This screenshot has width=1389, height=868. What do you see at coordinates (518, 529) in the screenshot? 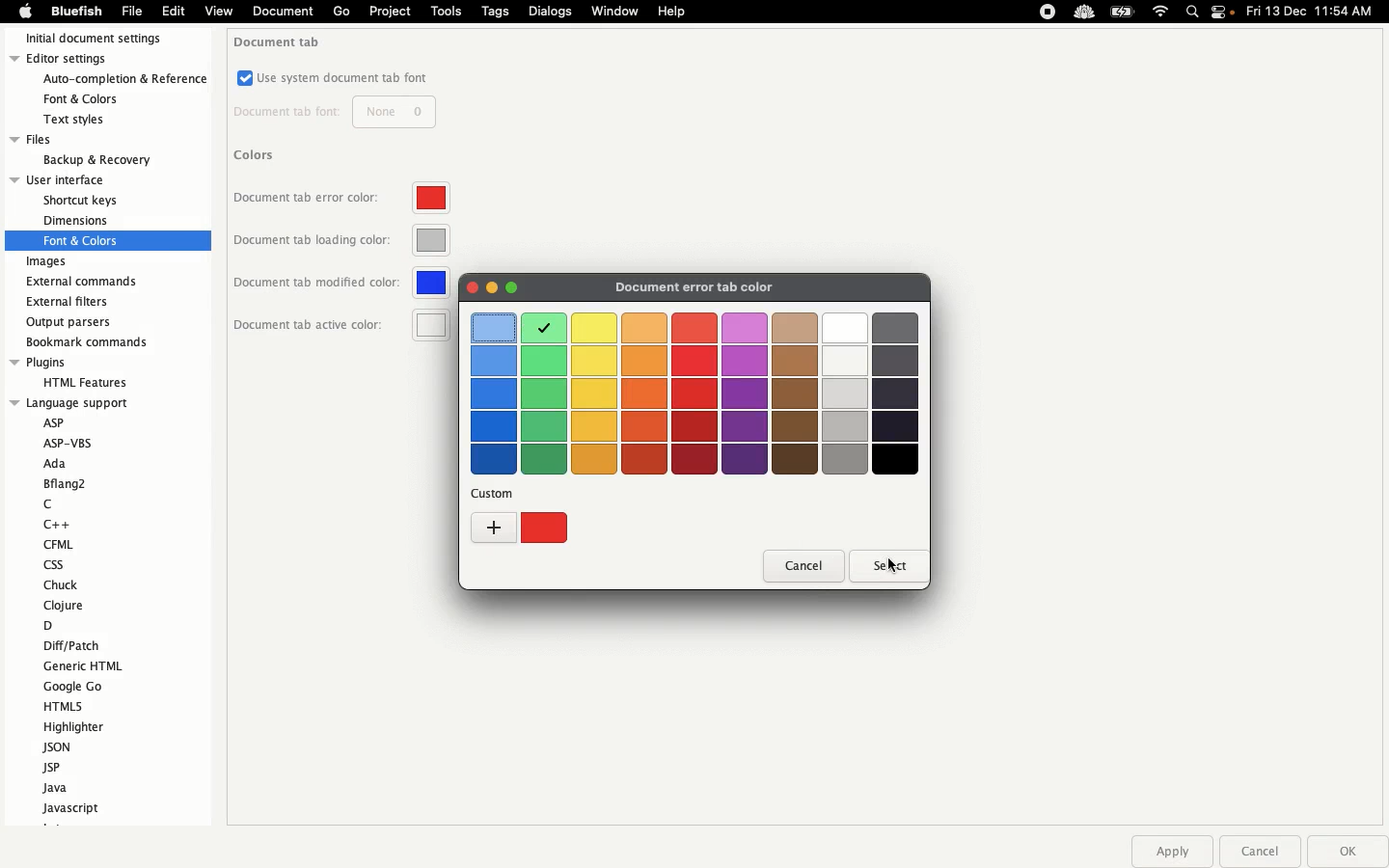
I see `Custom` at bounding box center [518, 529].